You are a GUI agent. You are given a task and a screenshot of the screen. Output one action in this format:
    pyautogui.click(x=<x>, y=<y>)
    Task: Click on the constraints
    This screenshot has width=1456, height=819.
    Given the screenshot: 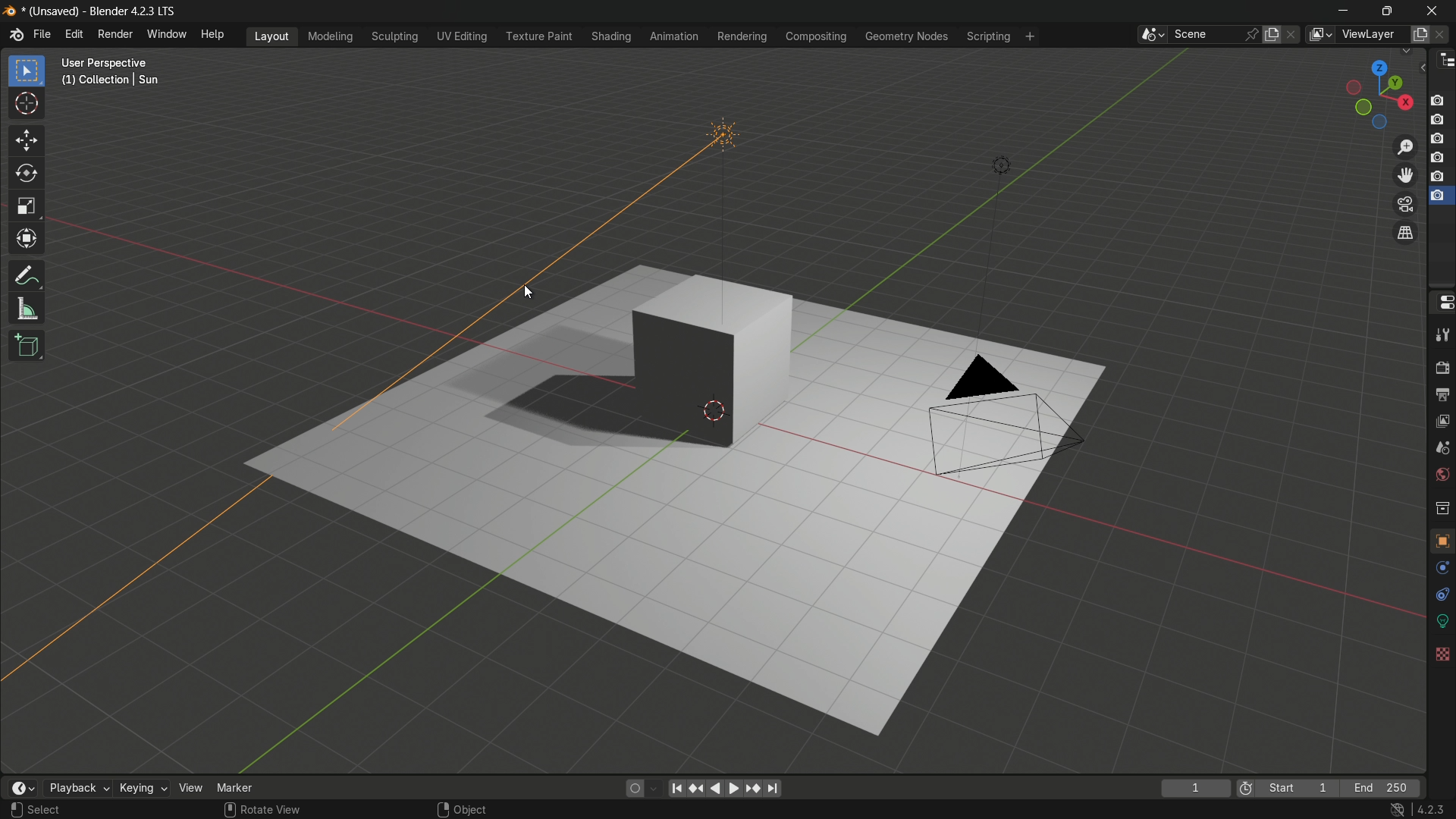 What is the action you would take?
    pyautogui.click(x=1441, y=594)
    